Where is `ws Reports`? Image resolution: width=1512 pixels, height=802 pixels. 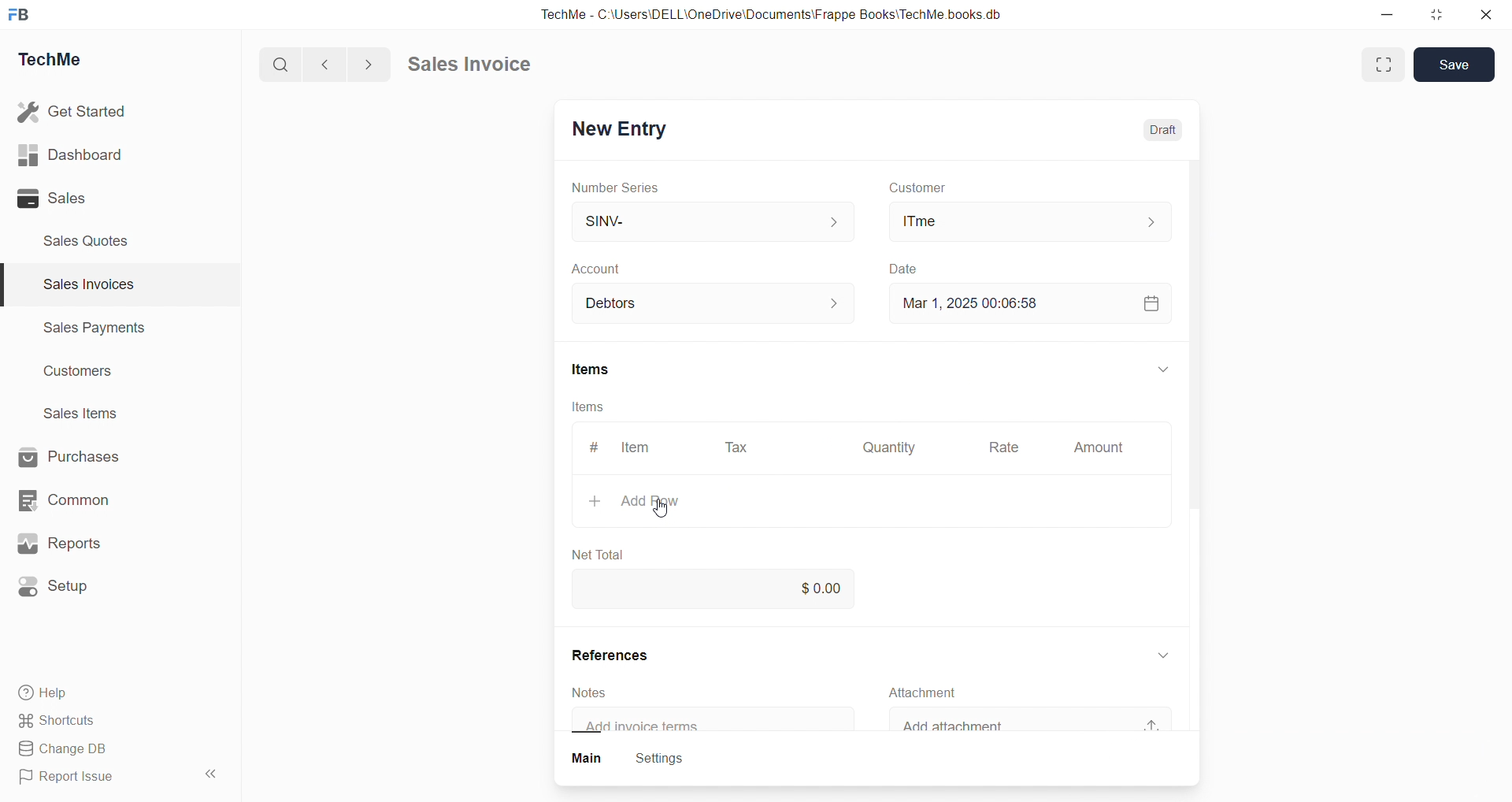
ws Reports is located at coordinates (74, 544).